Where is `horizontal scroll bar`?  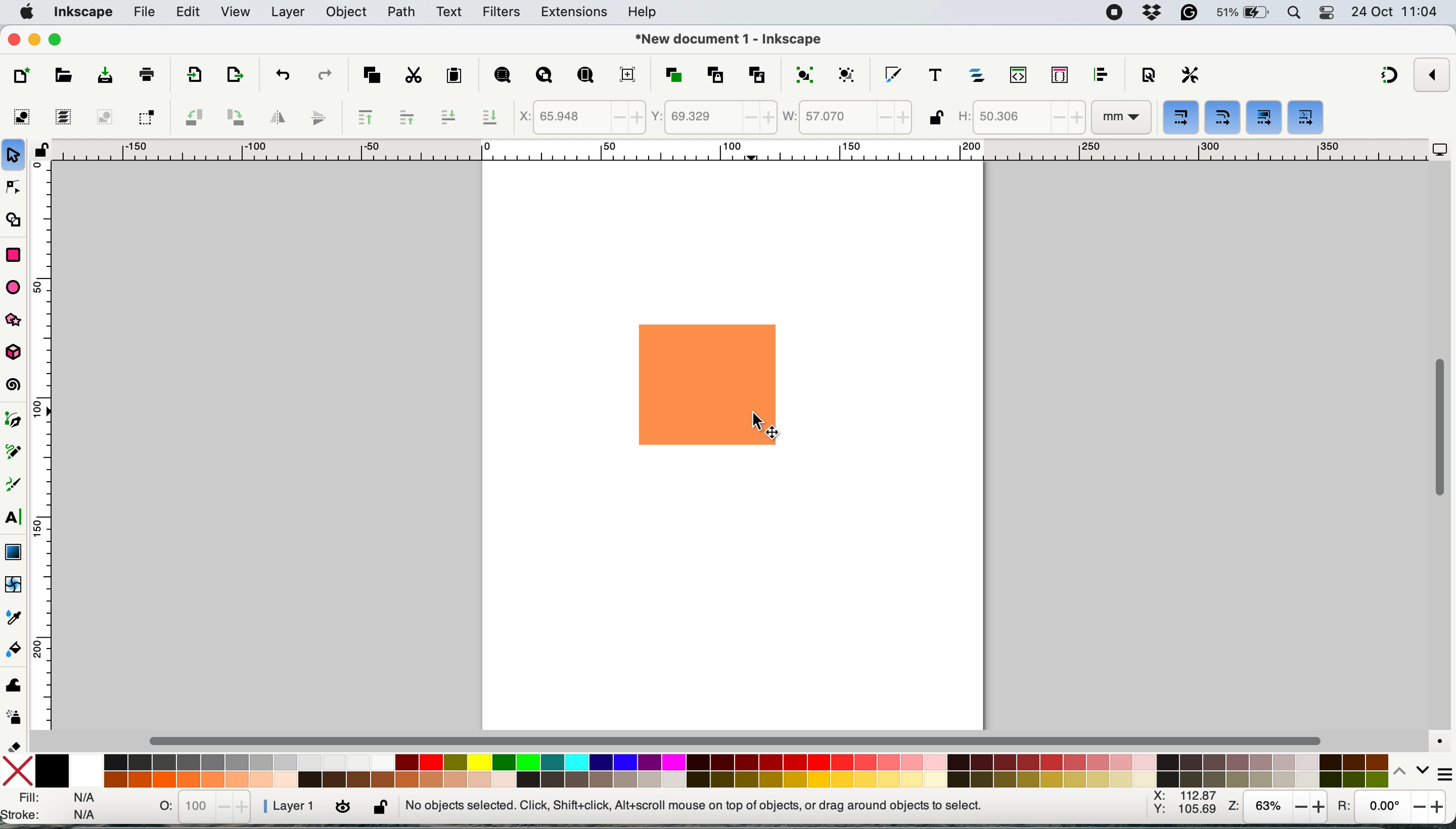 horizontal scroll bar is located at coordinates (739, 740).